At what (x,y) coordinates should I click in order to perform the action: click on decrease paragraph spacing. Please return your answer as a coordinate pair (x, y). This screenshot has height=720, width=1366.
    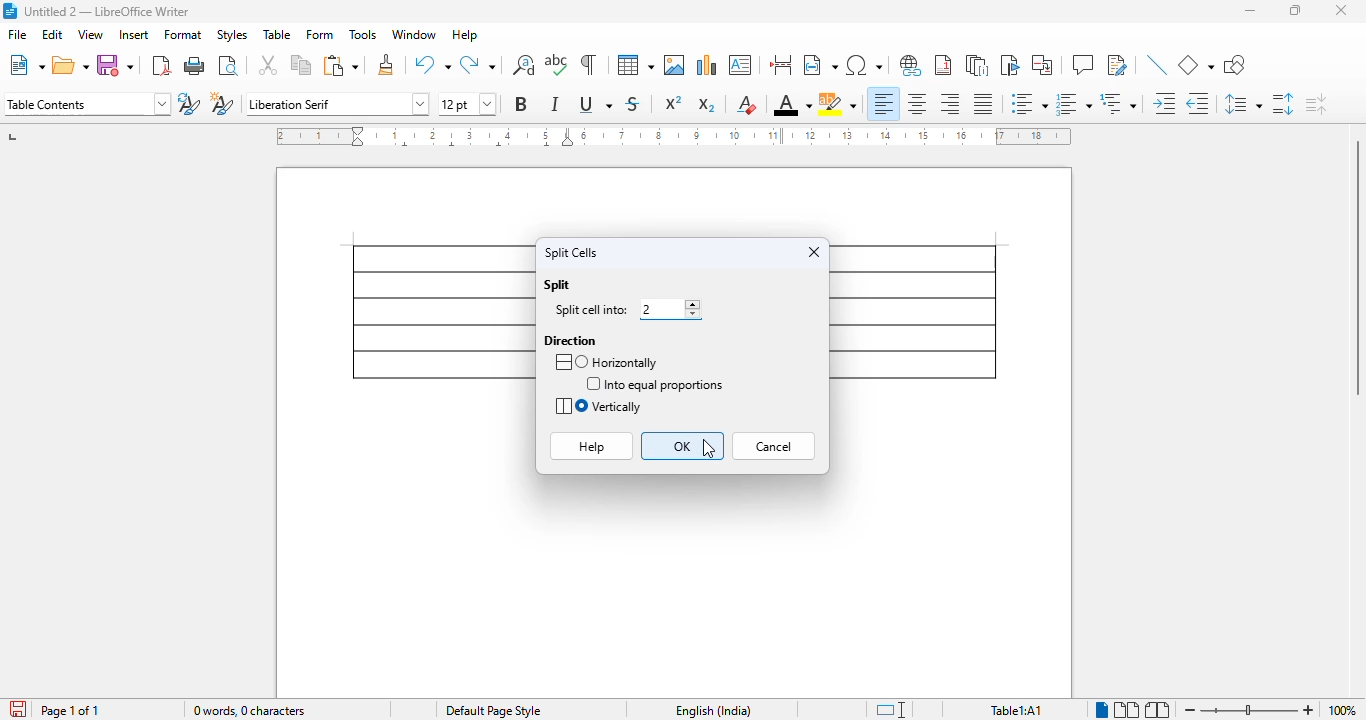
    Looking at the image, I should click on (1316, 104).